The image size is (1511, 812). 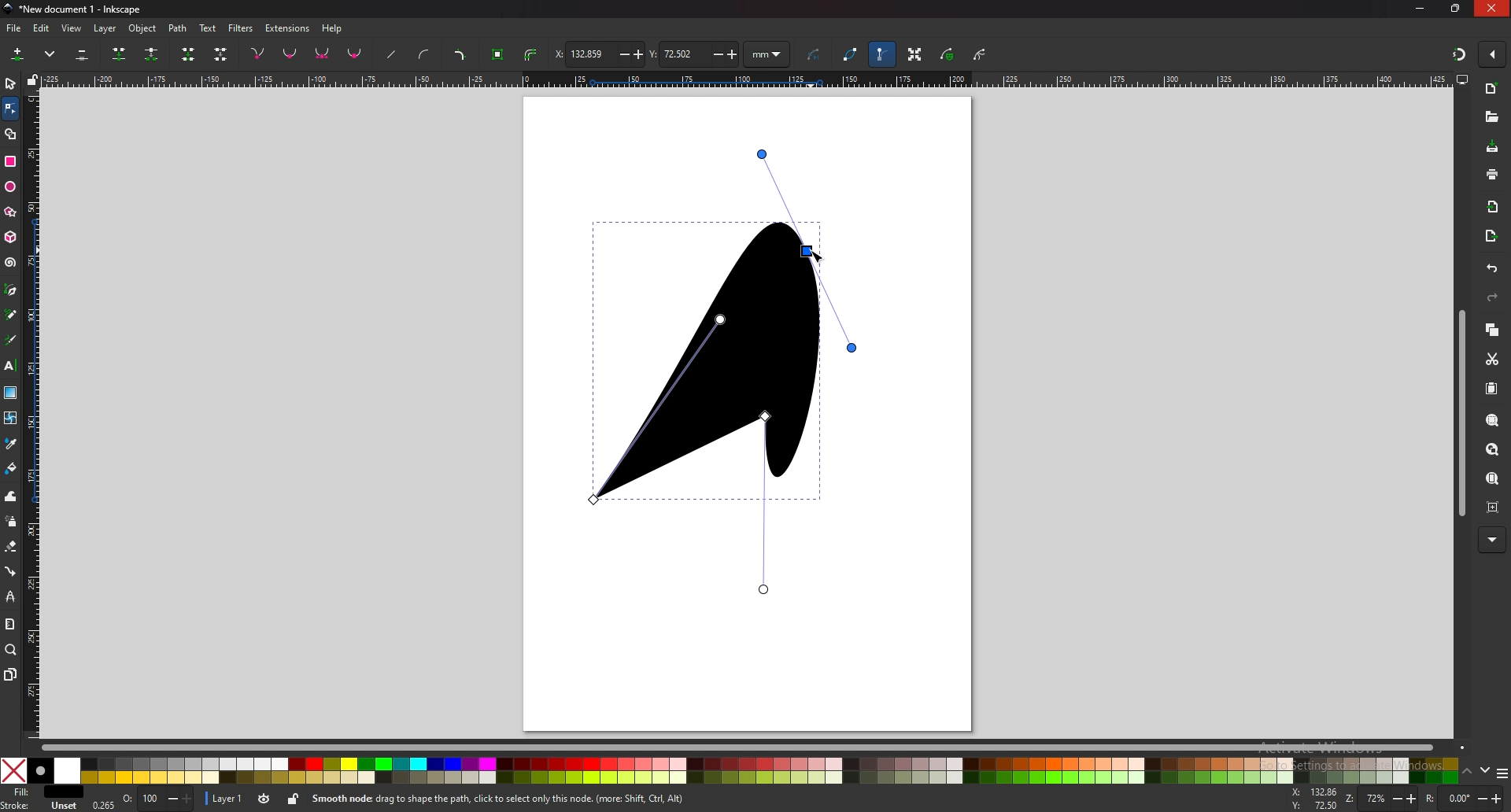 What do you see at coordinates (460, 55) in the screenshot?
I see `add corners lpe` at bounding box center [460, 55].